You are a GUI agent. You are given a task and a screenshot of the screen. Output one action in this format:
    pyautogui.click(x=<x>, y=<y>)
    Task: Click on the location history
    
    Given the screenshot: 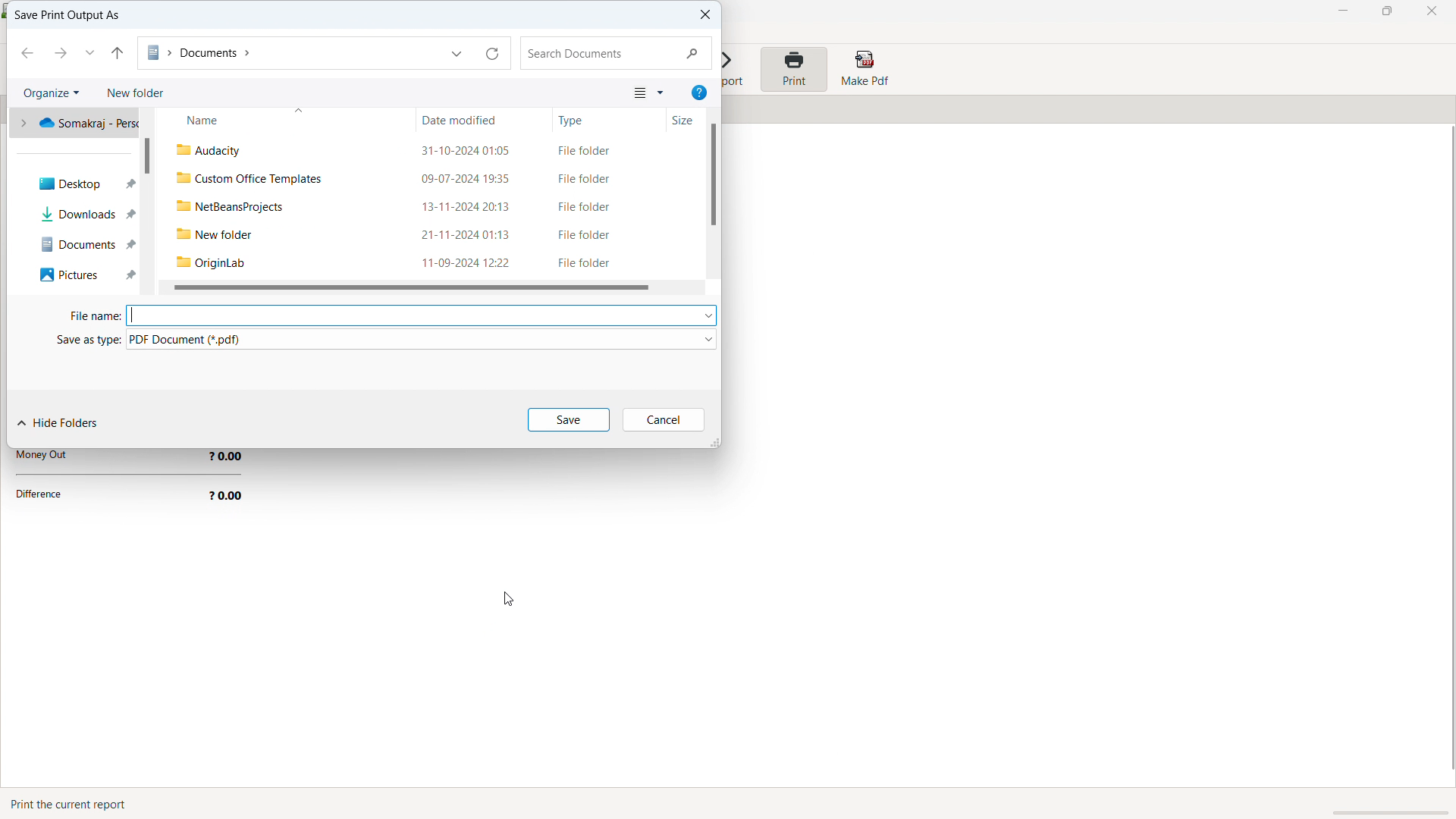 What is the action you would take?
    pyautogui.click(x=459, y=52)
    